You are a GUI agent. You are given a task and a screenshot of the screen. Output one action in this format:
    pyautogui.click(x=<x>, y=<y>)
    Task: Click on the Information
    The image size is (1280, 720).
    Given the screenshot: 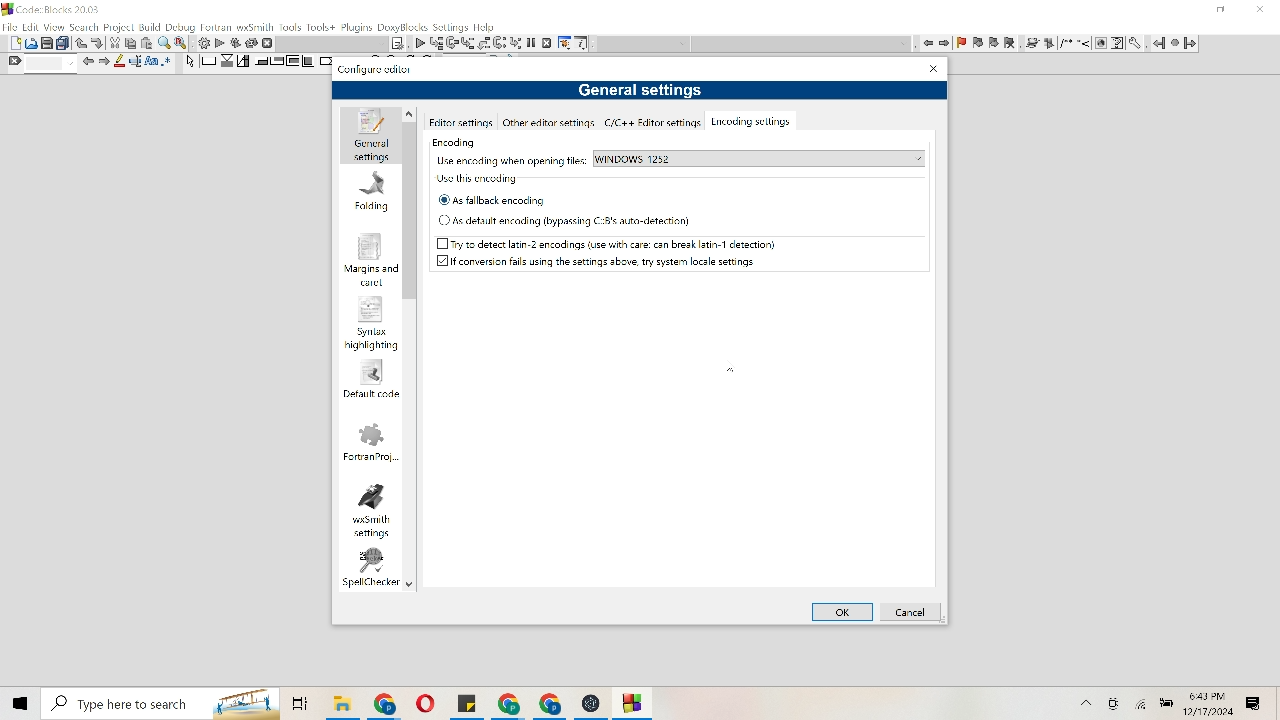 What is the action you would take?
    pyautogui.click(x=583, y=44)
    